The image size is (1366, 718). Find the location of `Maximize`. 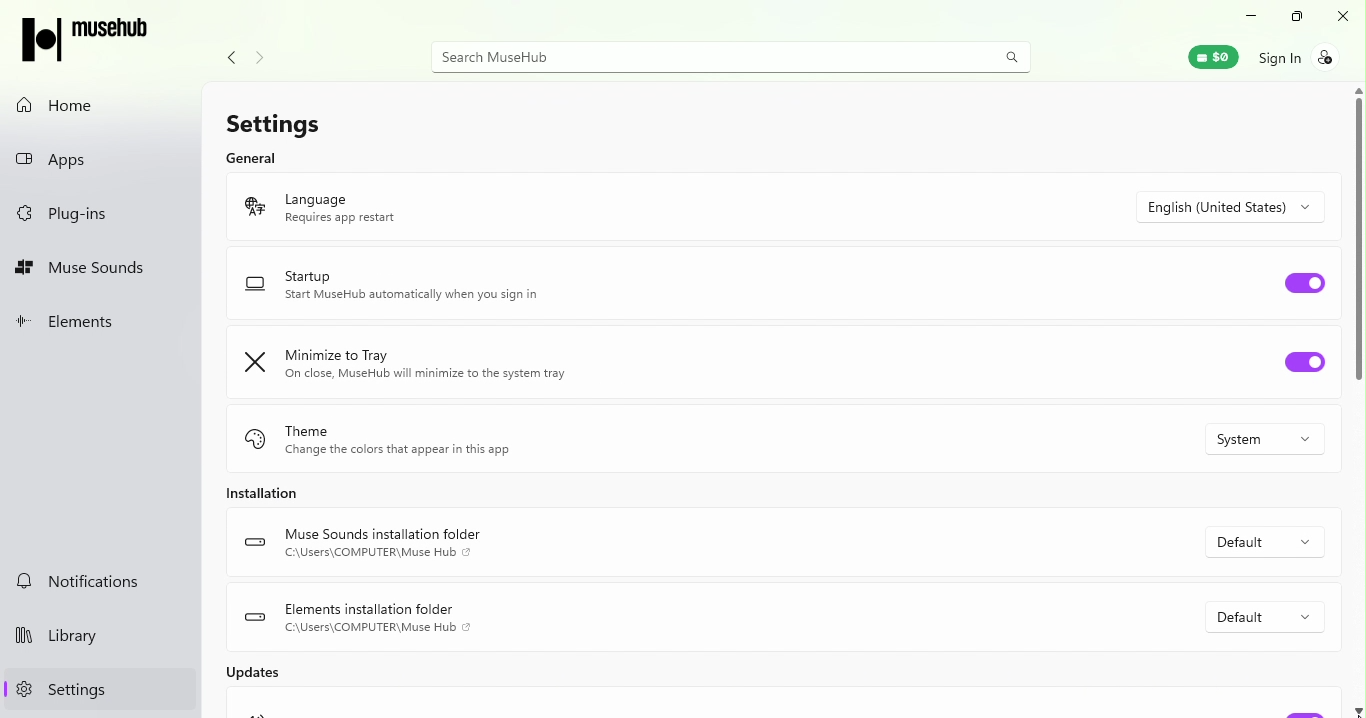

Maximize is located at coordinates (1293, 16).